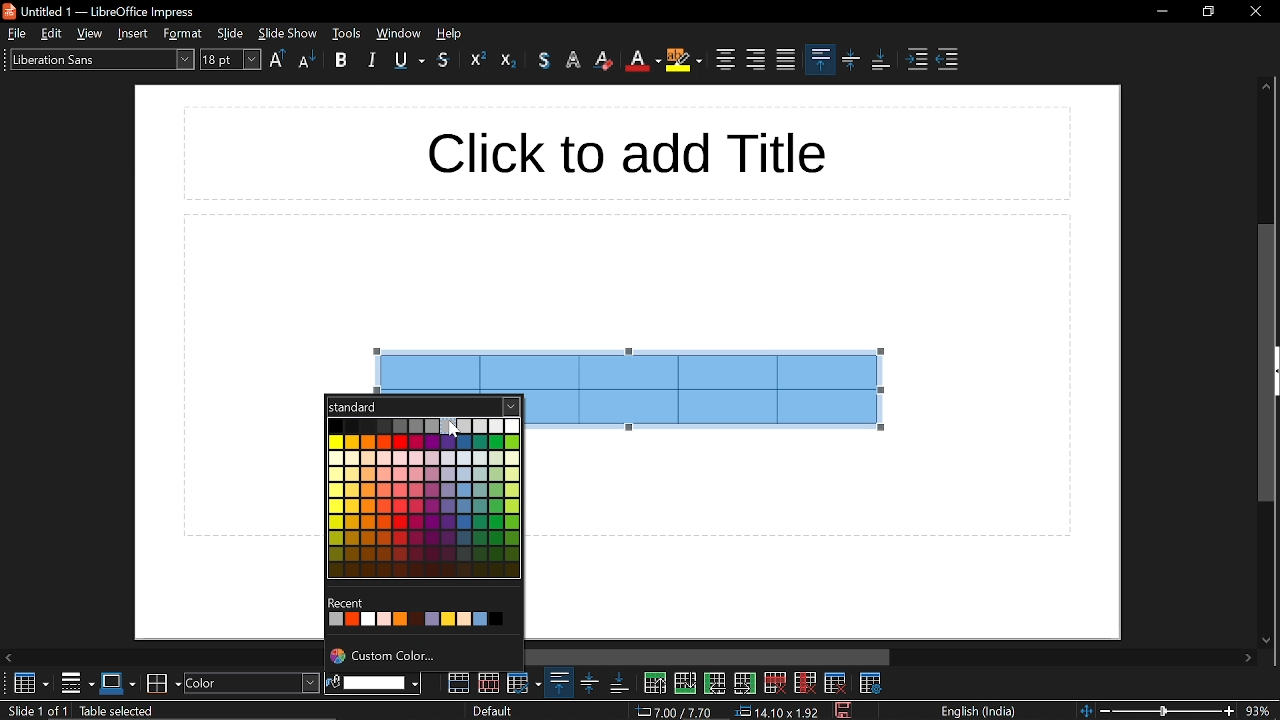 The image size is (1280, 720). I want to click on co-ordinate, so click(676, 712).